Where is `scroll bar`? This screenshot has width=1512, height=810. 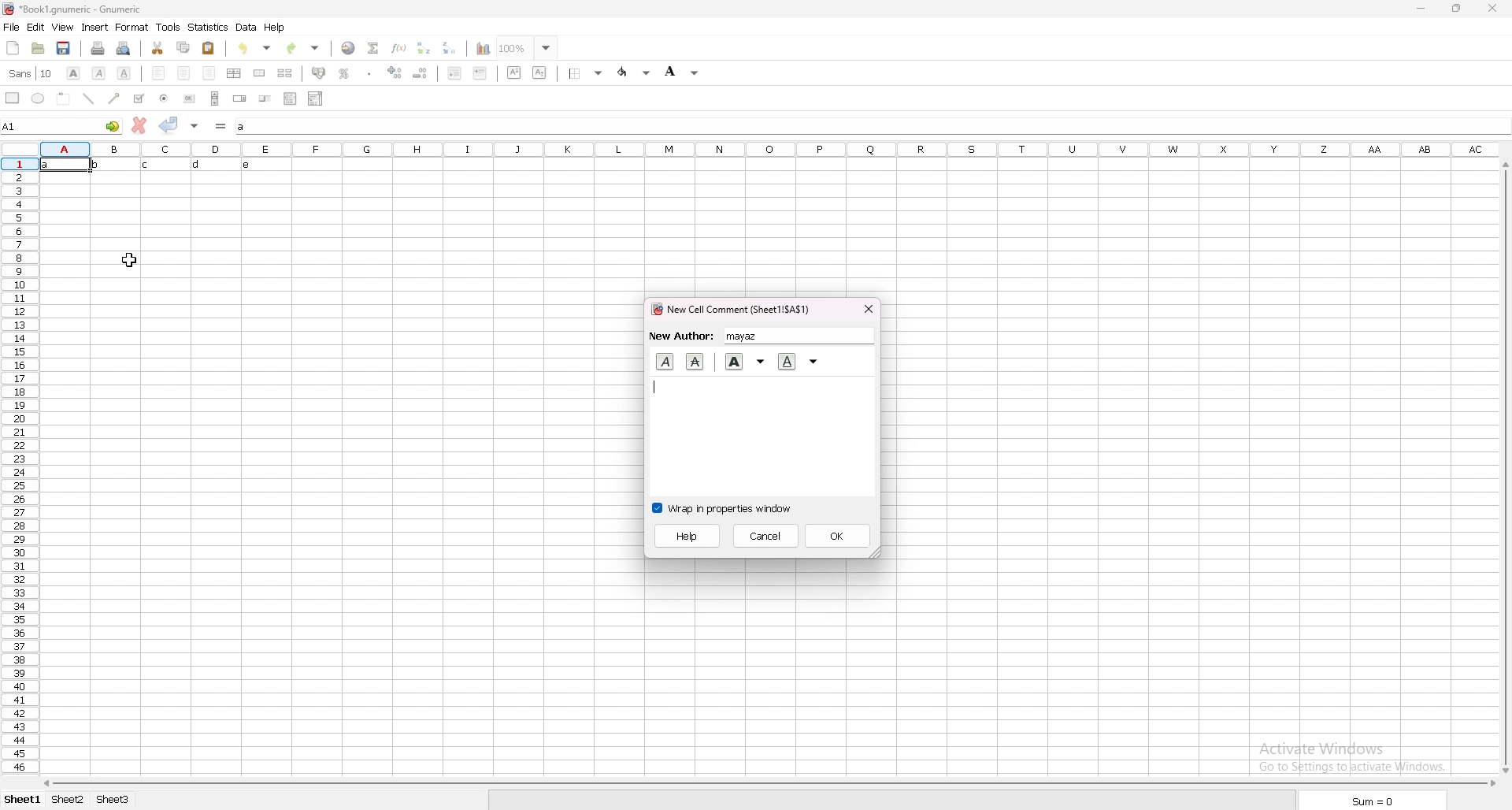 scroll bar is located at coordinates (215, 98).